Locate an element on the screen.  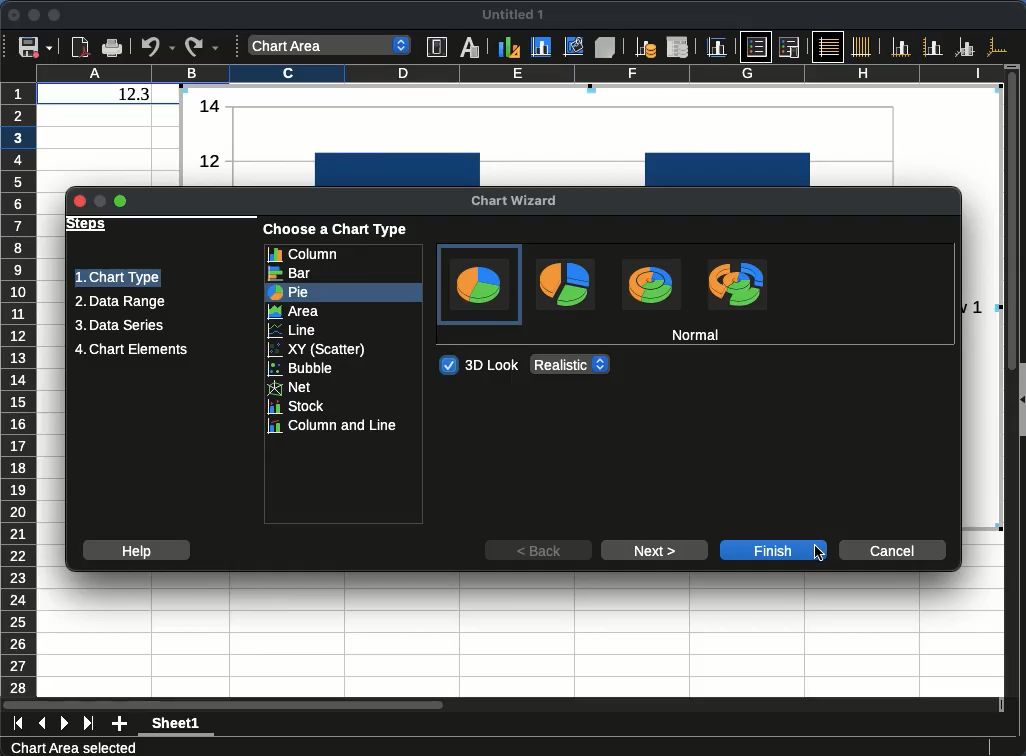
Exploded donut chart is located at coordinates (737, 284).